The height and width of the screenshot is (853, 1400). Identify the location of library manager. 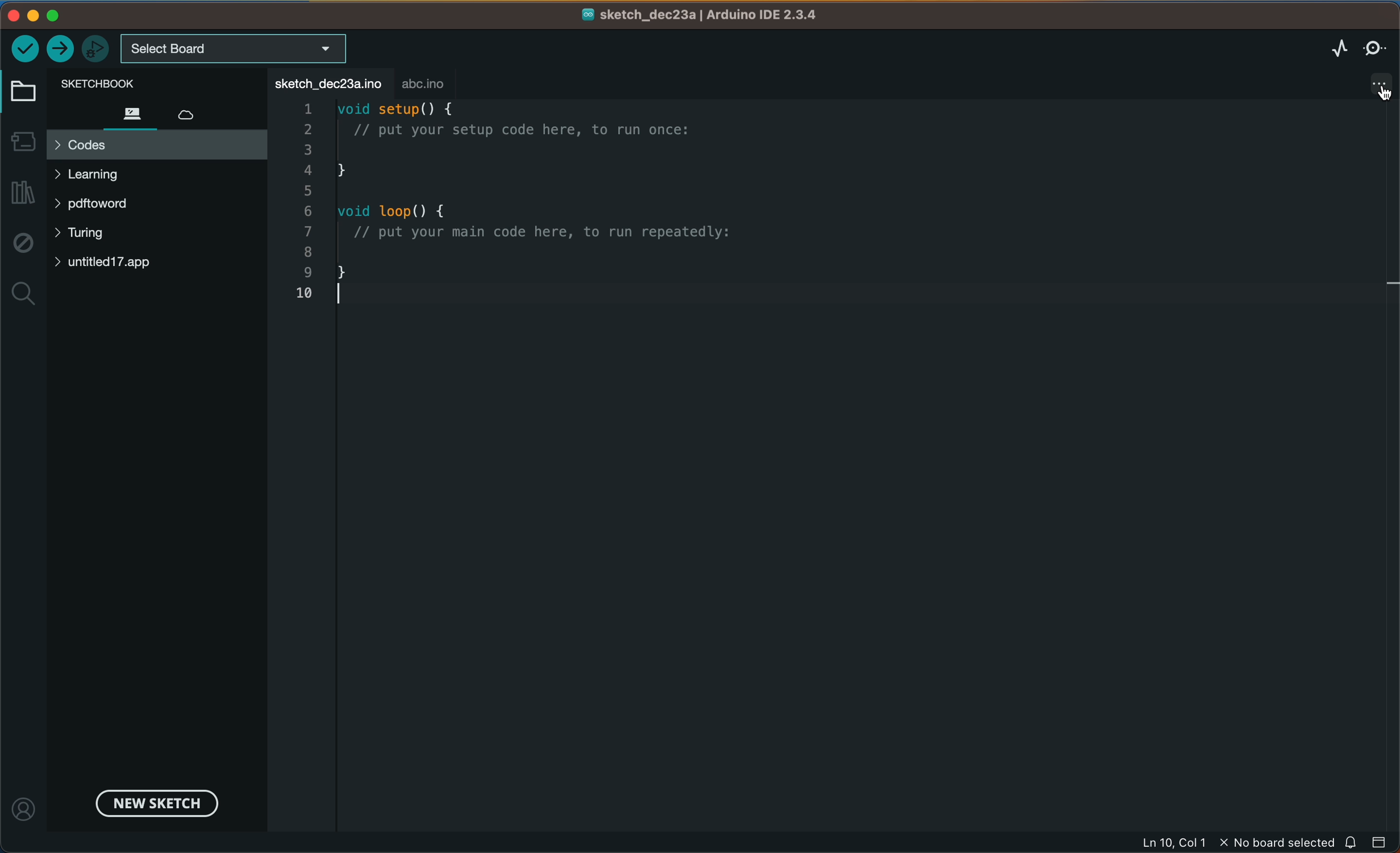
(21, 188).